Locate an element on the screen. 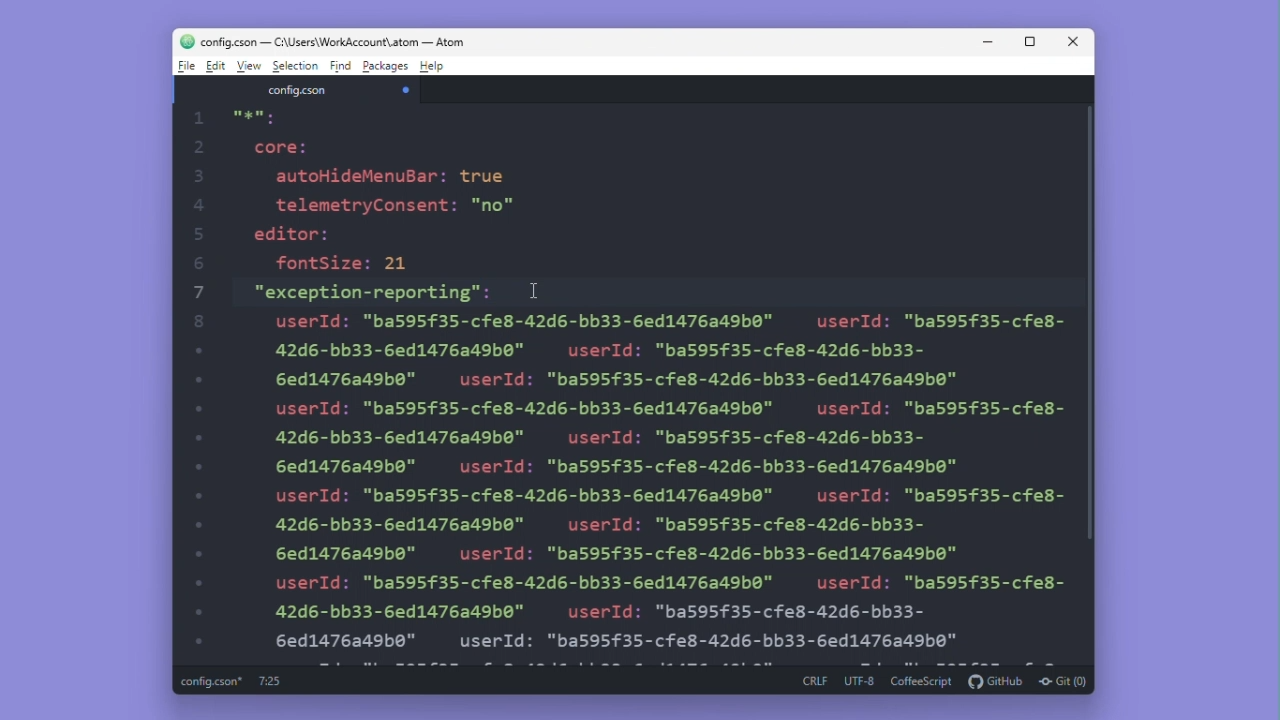  7:25 is located at coordinates (269, 681).